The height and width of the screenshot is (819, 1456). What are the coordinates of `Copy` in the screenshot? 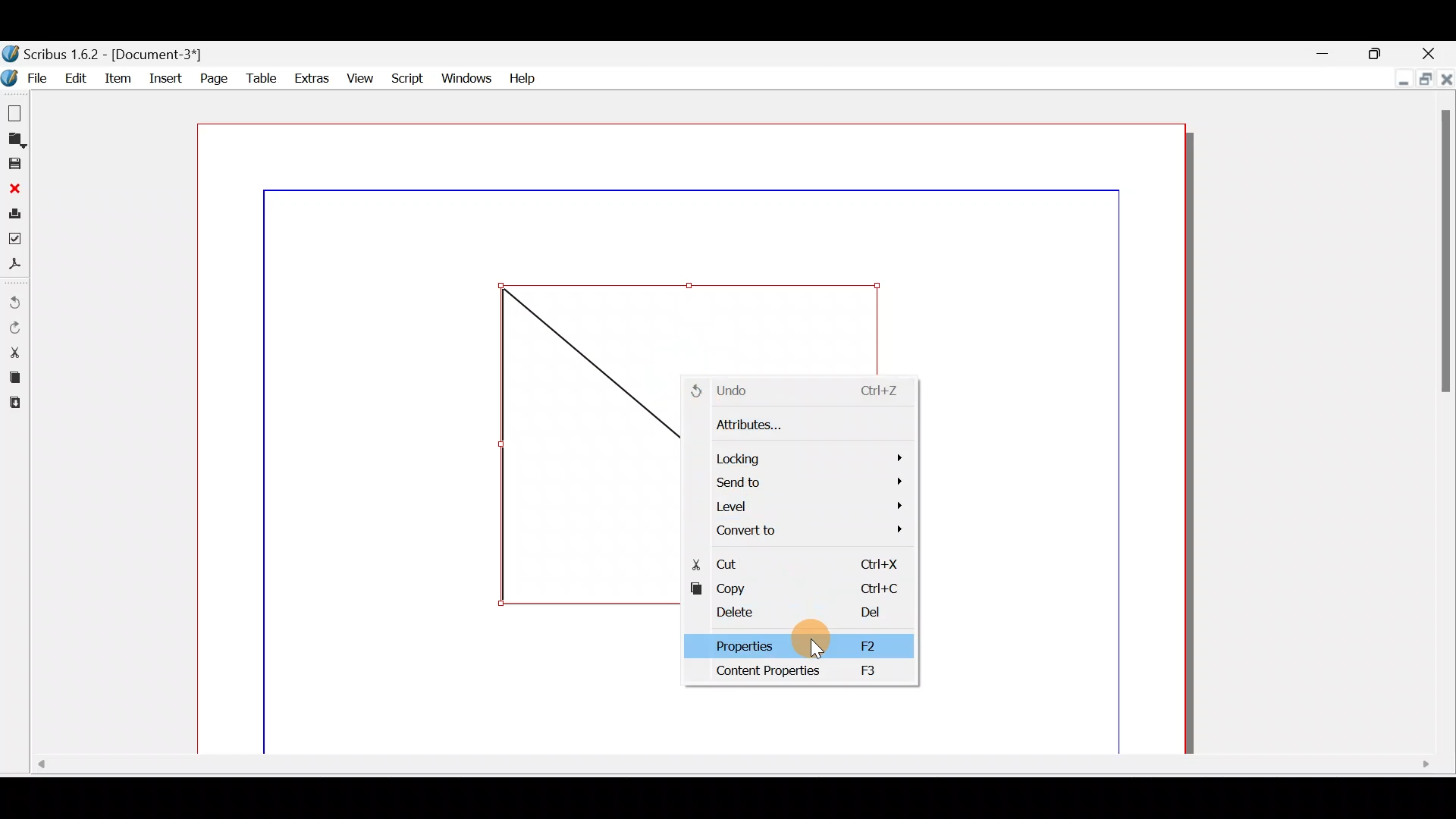 It's located at (14, 375).